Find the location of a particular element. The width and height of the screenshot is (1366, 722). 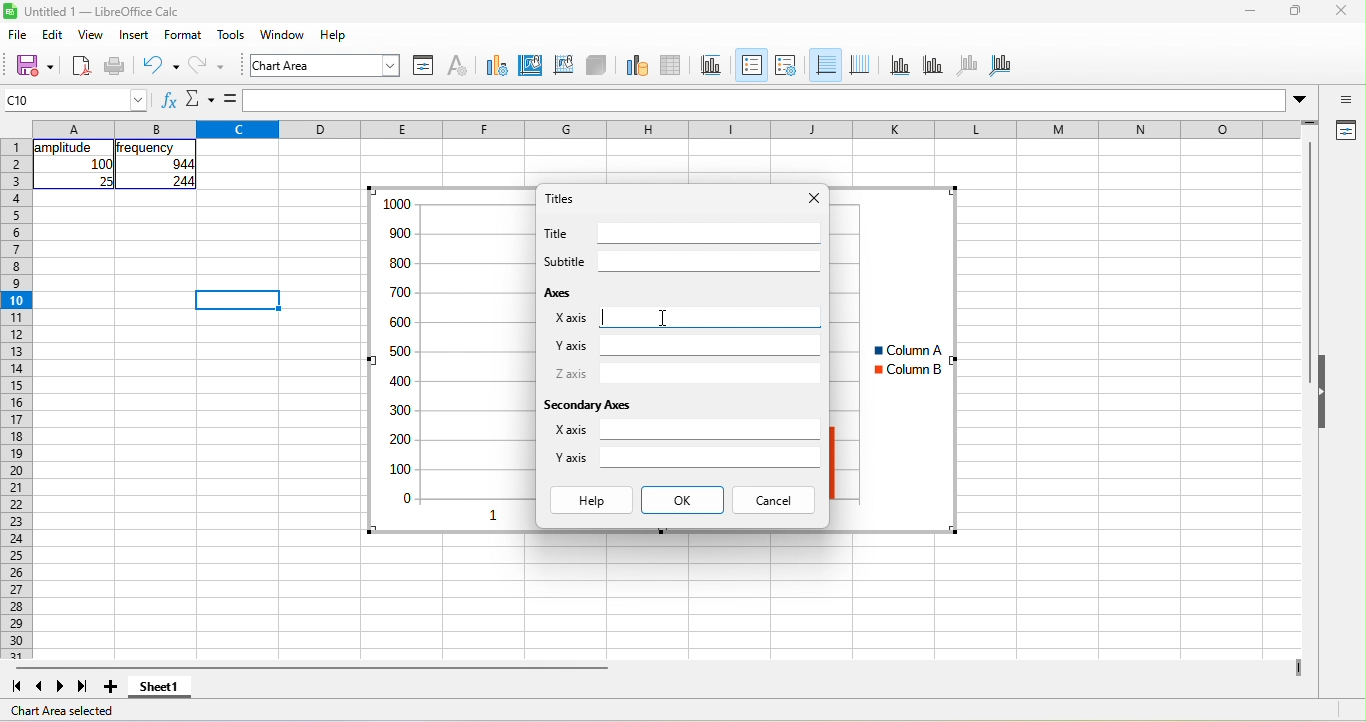

view is located at coordinates (92, 34).